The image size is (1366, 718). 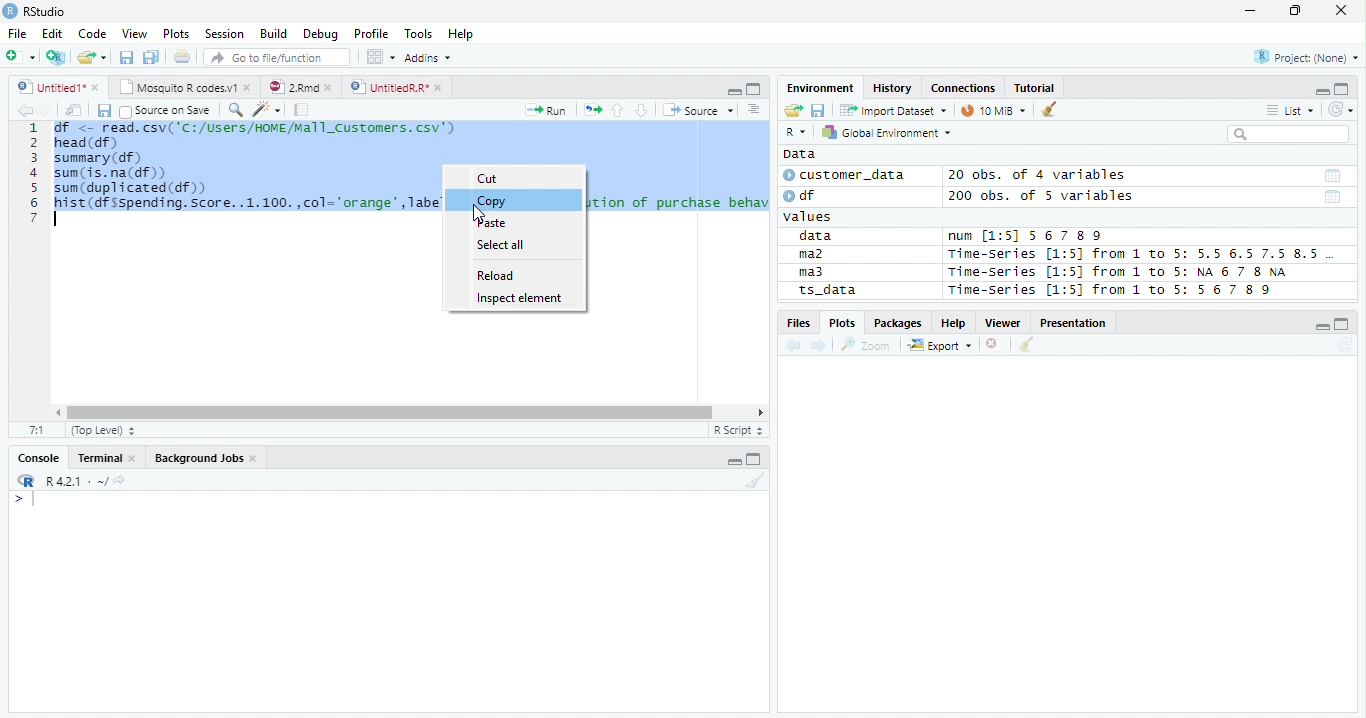 I want to click on Clean, so click(x=1027, y=344).